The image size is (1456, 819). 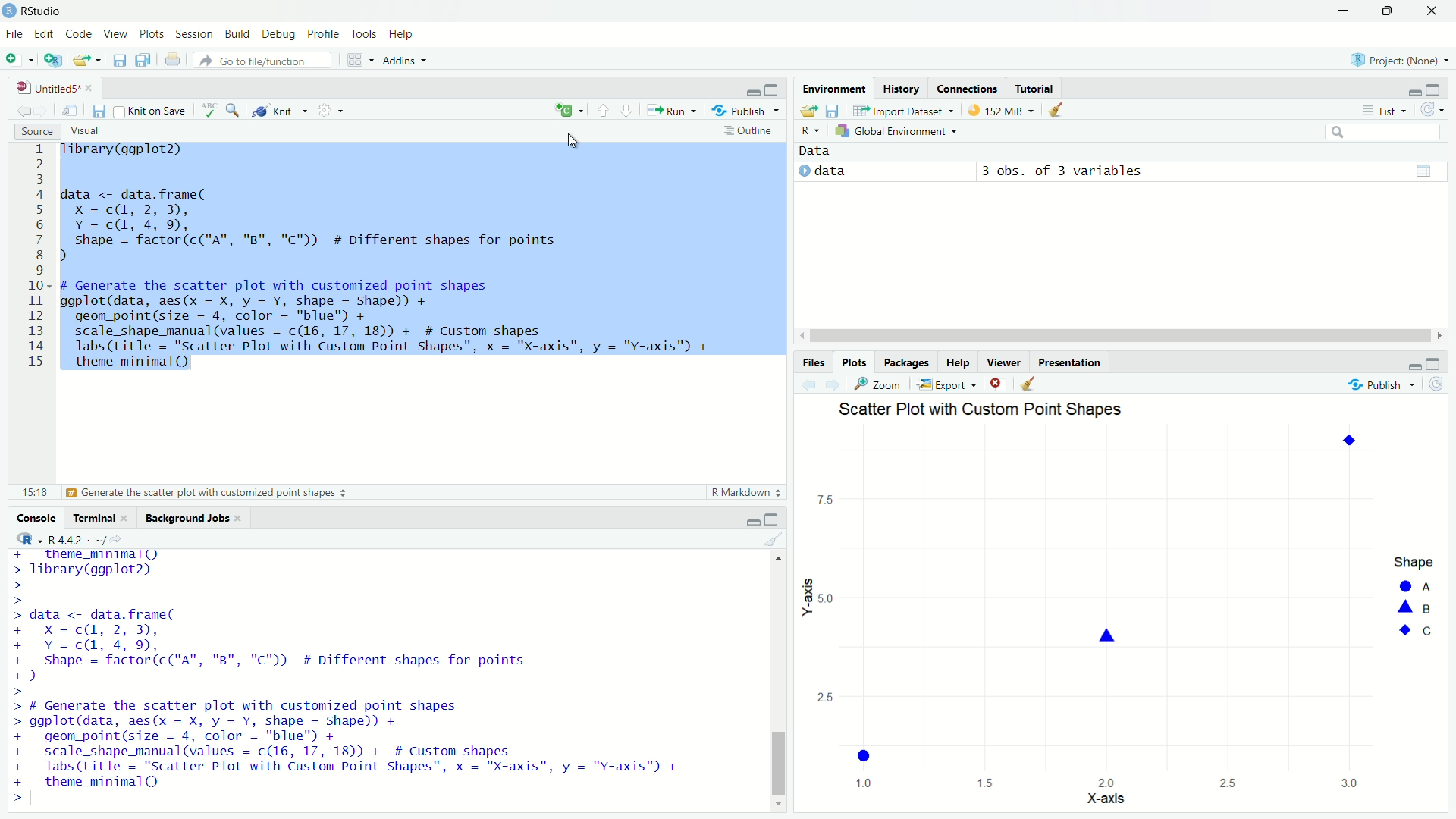 I want to click on Session, so click(x=193, y=34).